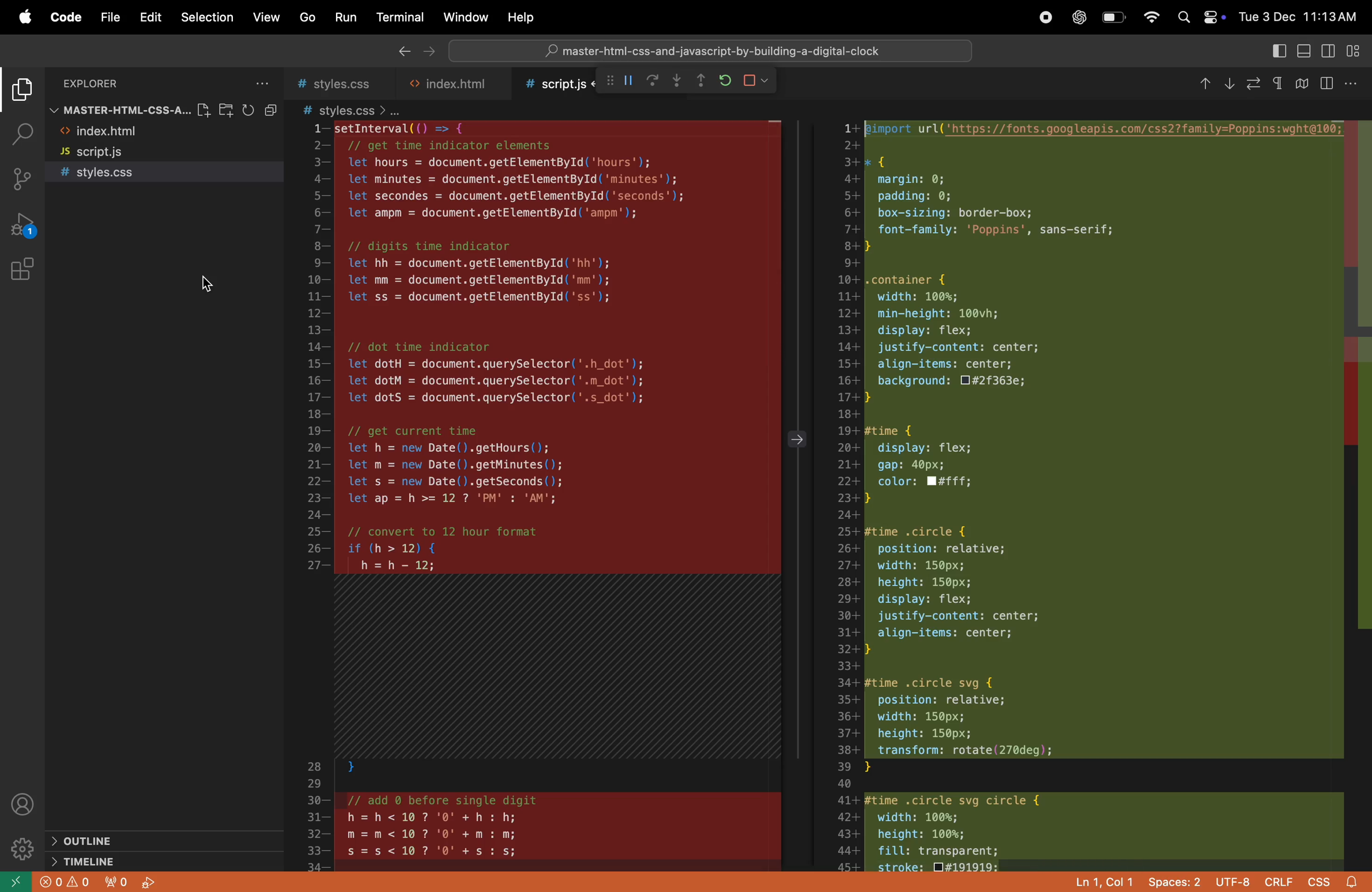 The height and width of the screenshot is (892, 1372). I want to click on search, so click(19, 134).